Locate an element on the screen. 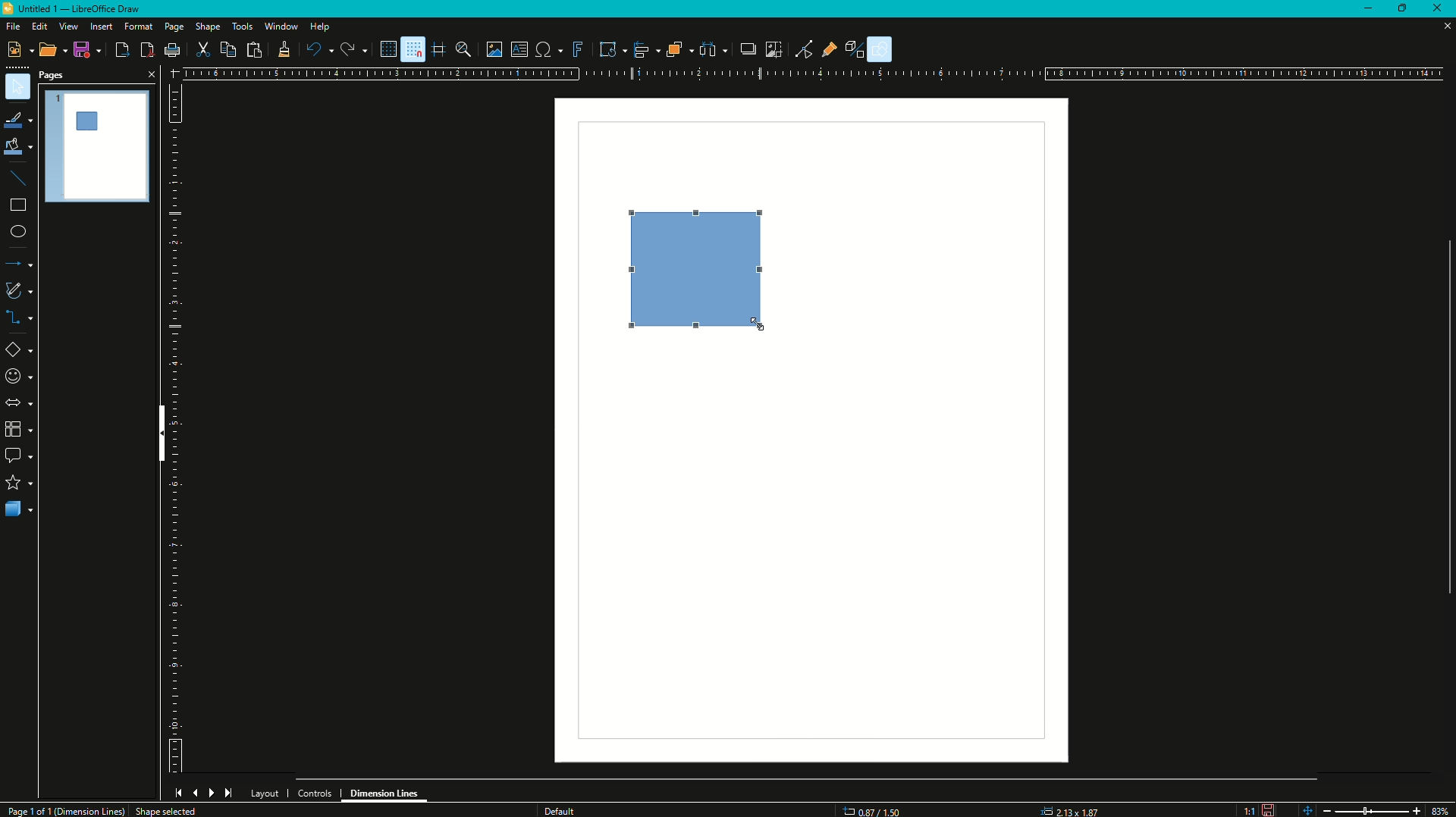 The width and height of the screenshot is (1456, 817). Transformations is located at coordinates (607, 48).